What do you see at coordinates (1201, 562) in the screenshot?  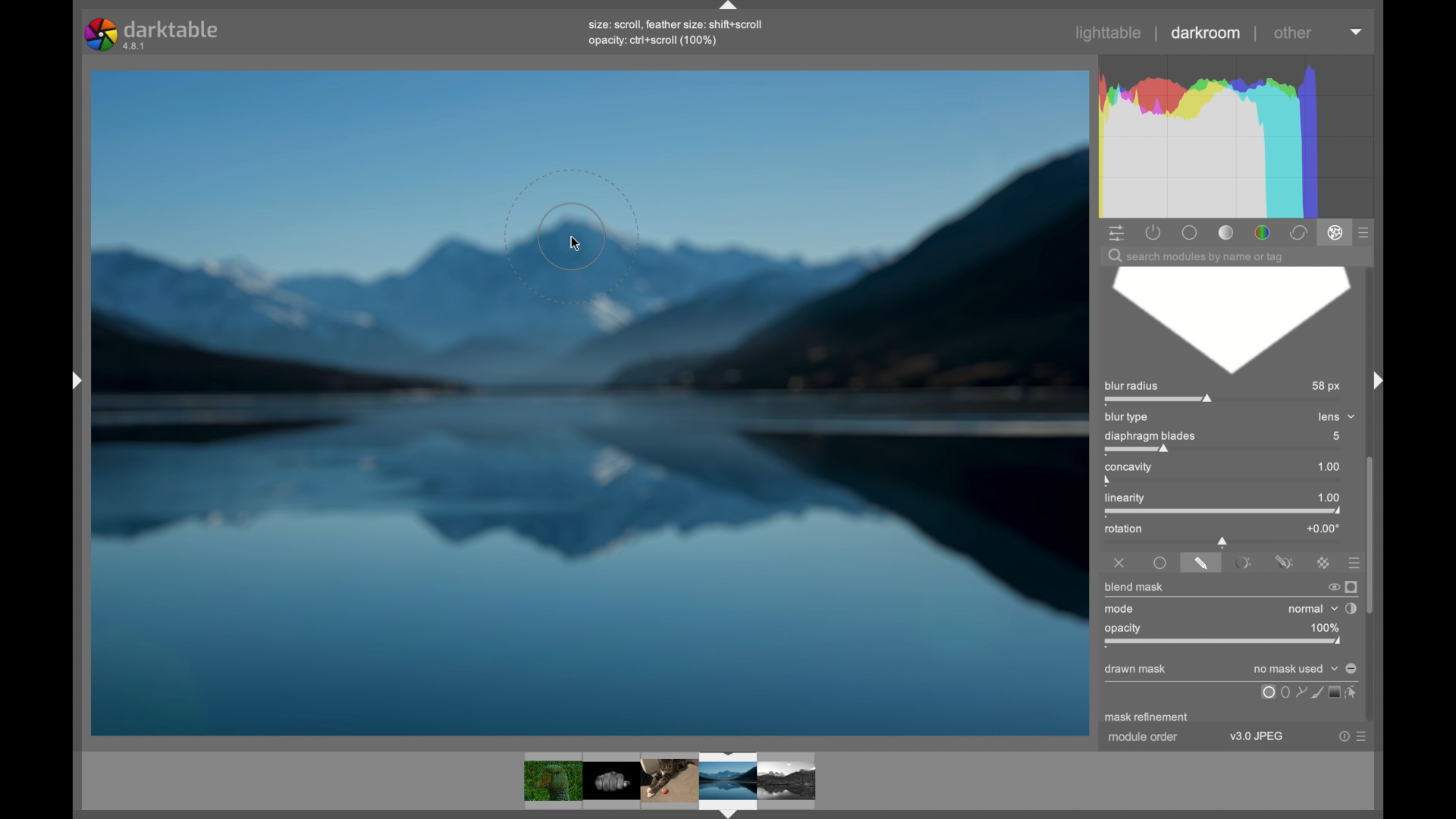 I see `drawnamsk` at bounding box center [1201, 562].